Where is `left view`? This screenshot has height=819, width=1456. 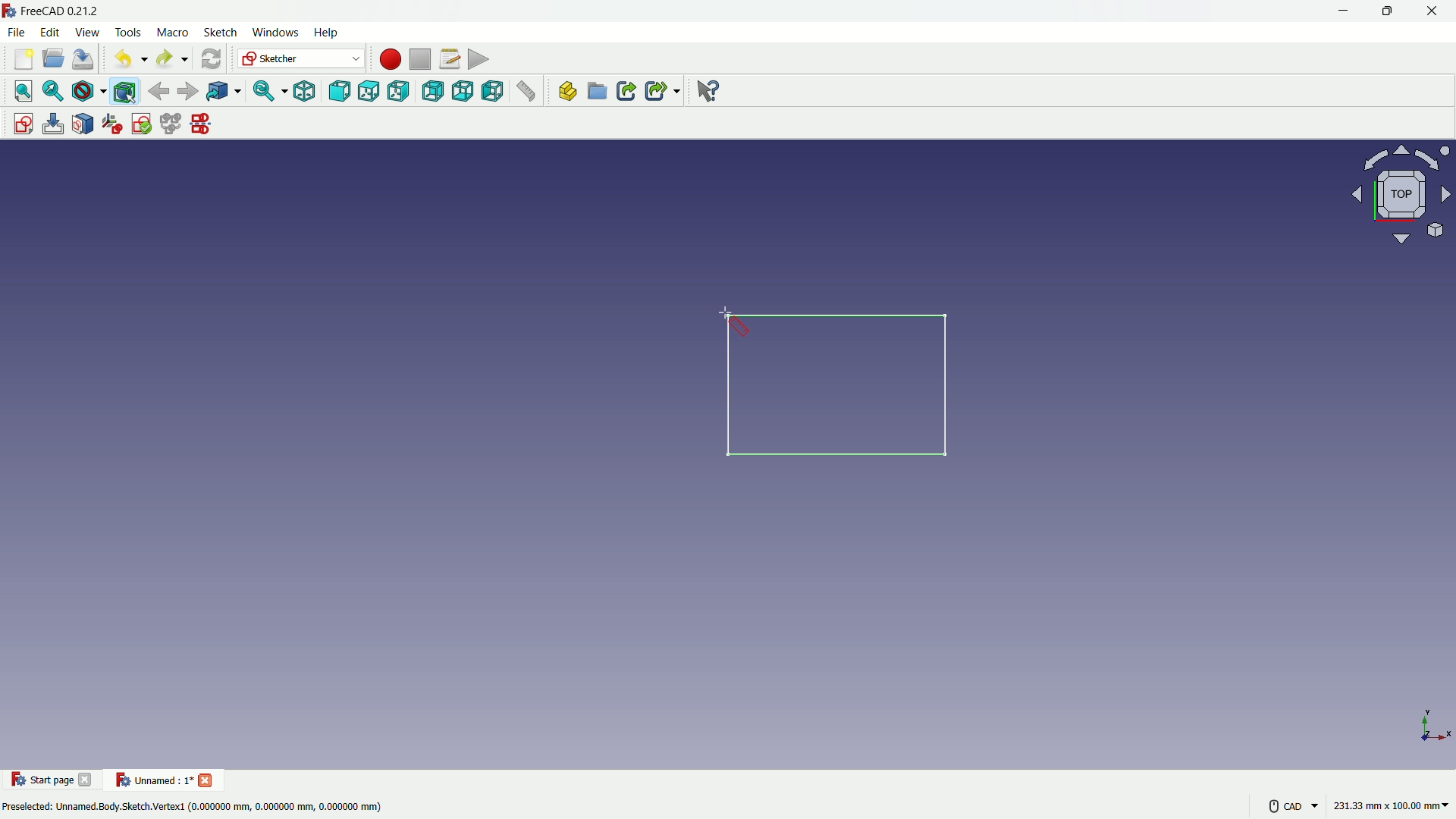
left view is located at coordinates (495, 93).